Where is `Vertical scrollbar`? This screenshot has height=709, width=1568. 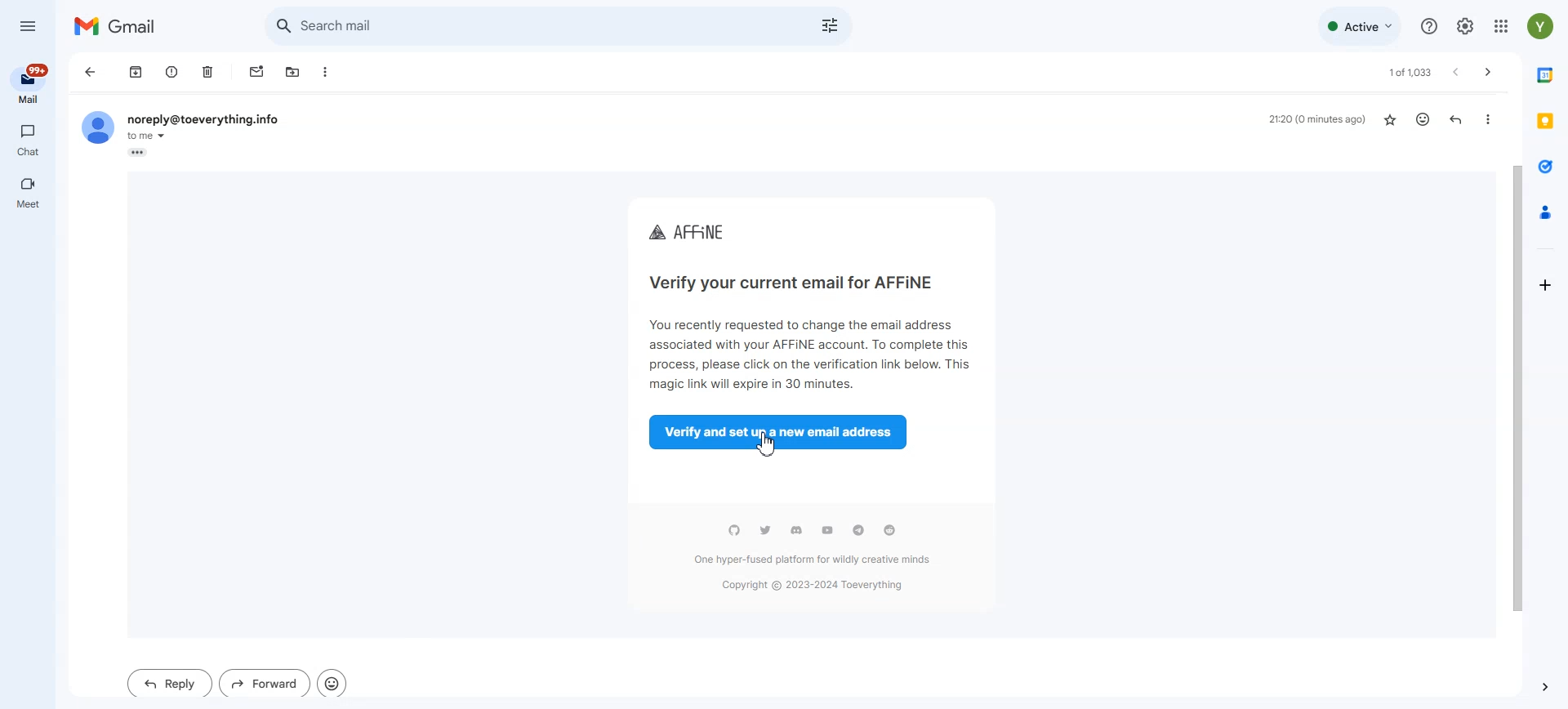
Vertical scrollbar is located at coordinates (1512, 363).